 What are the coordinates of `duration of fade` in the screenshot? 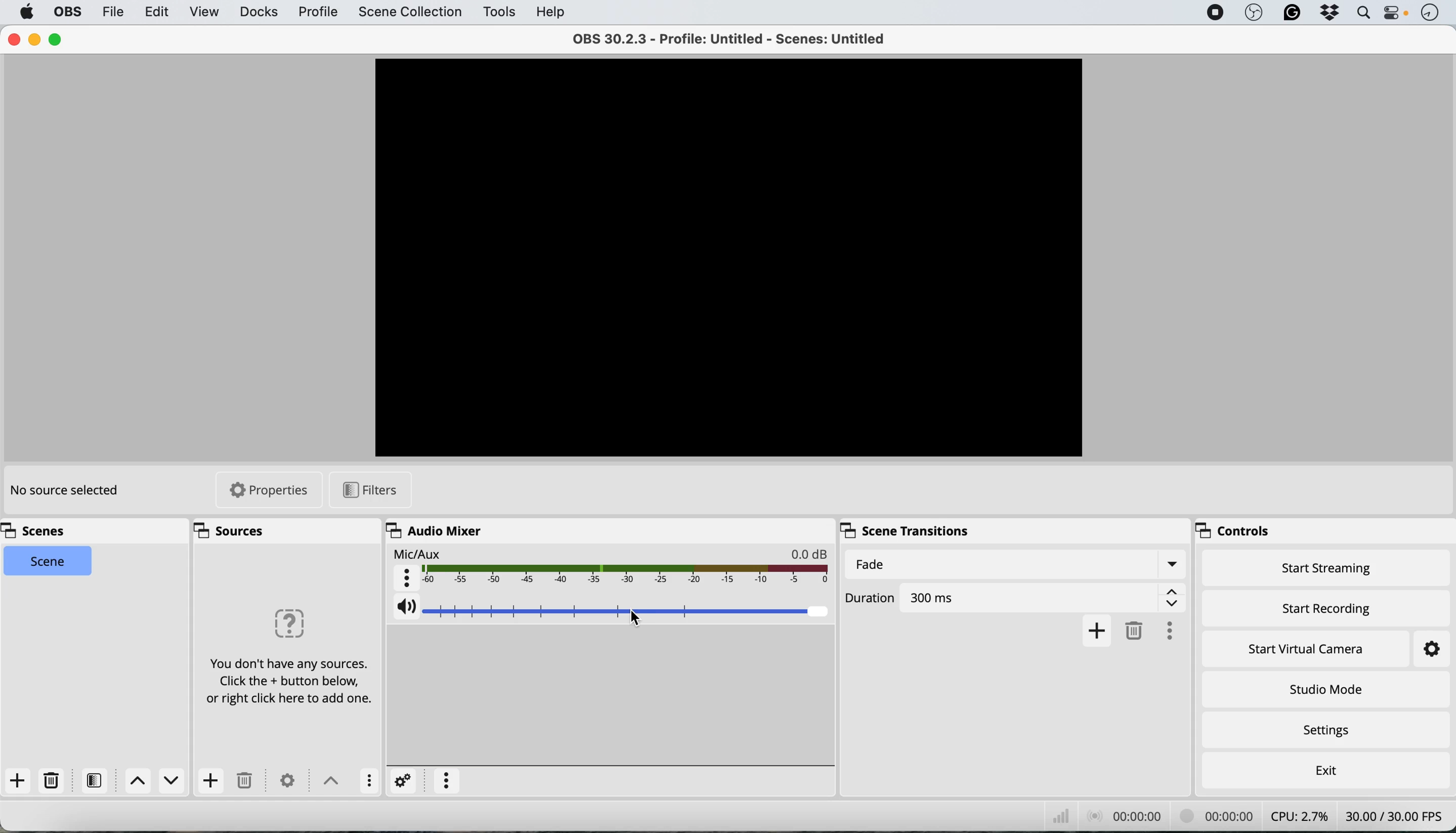 It's located at (1013, 596).